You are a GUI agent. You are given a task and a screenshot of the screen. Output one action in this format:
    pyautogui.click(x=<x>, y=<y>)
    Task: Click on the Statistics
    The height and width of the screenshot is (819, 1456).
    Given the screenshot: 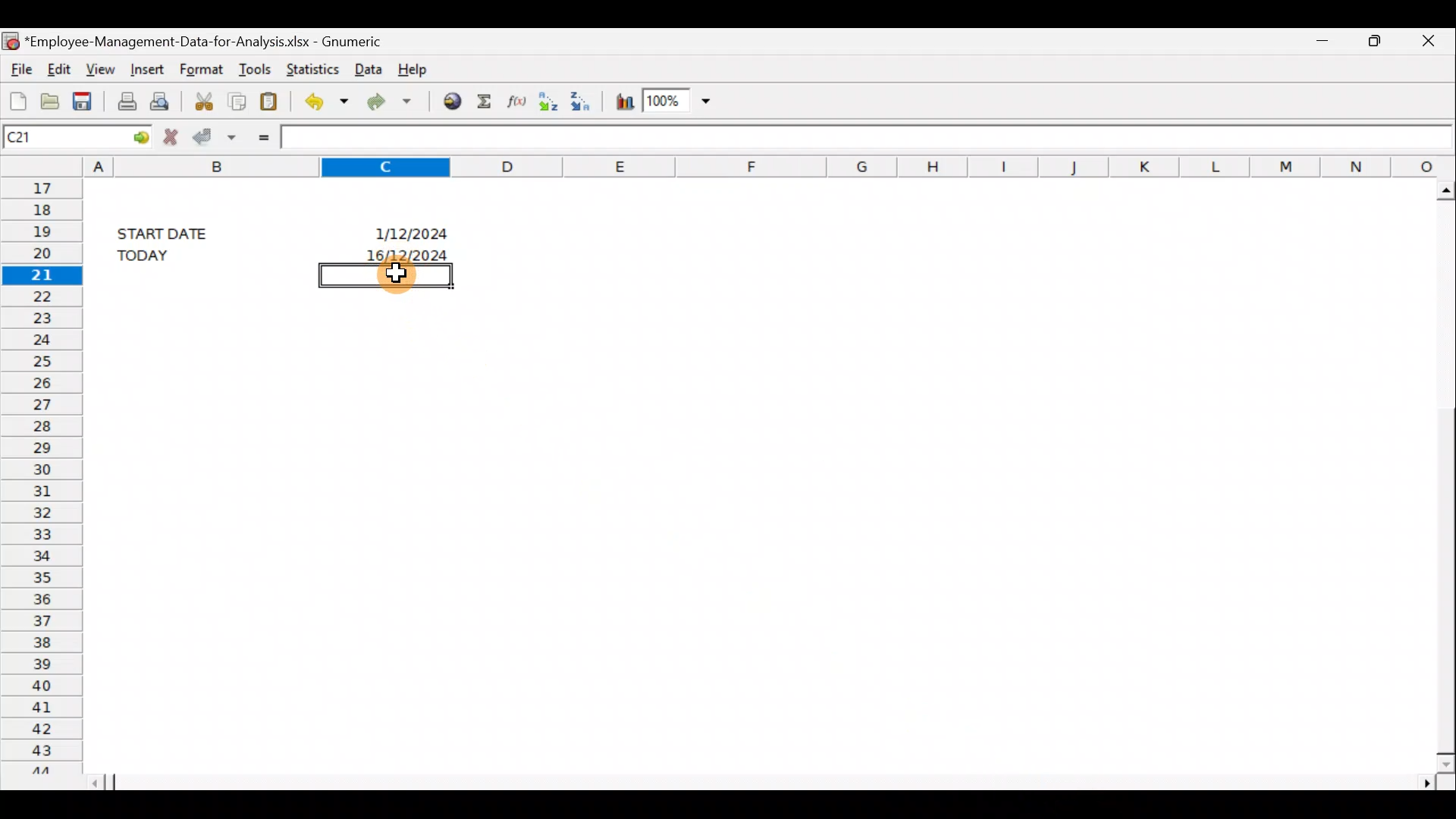 What is the action you would take?
    pyautogui.click(x=309, y=67)
    